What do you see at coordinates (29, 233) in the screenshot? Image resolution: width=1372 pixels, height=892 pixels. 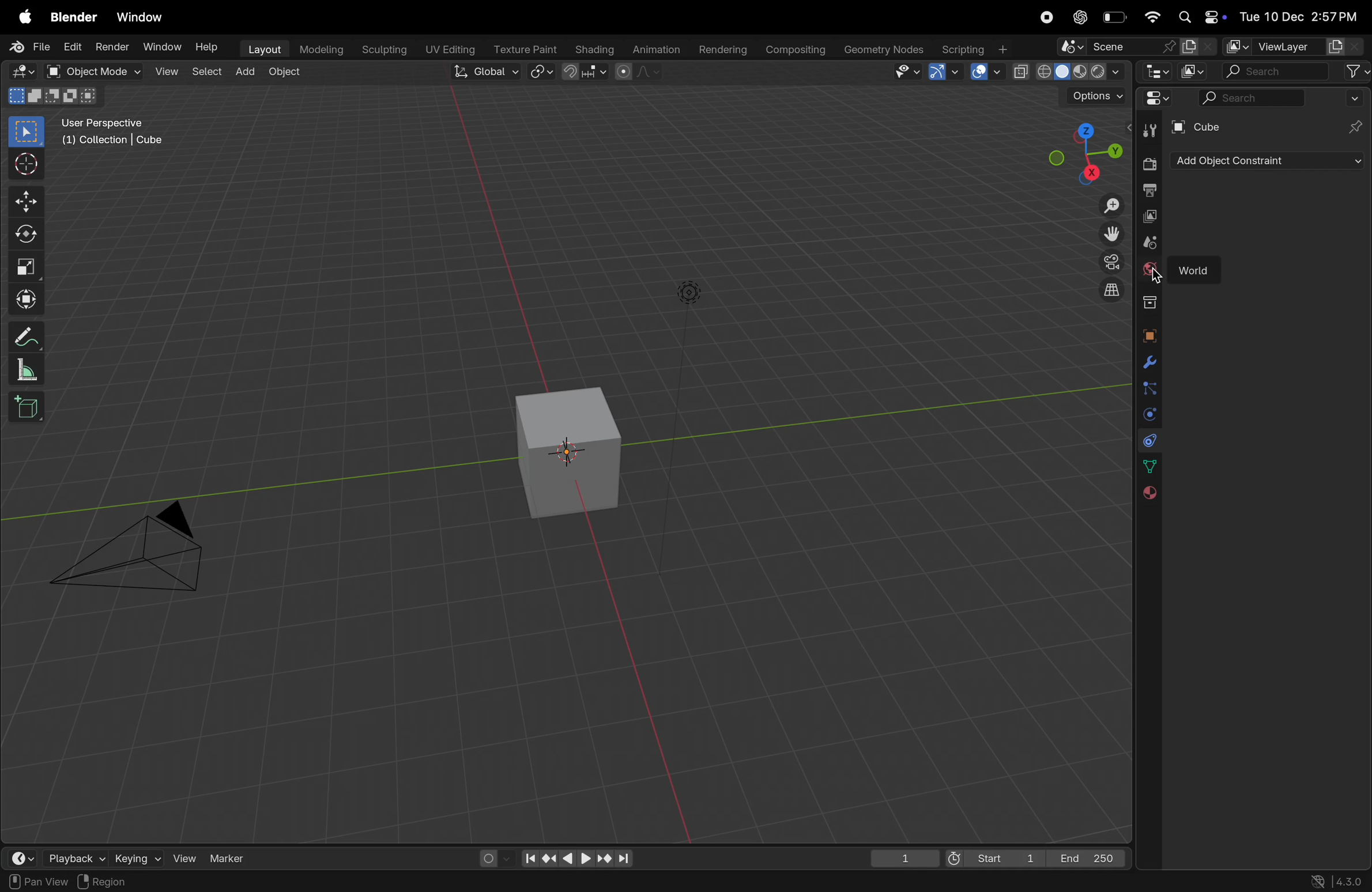 I see `rotate` at bounding box center [29, 233].